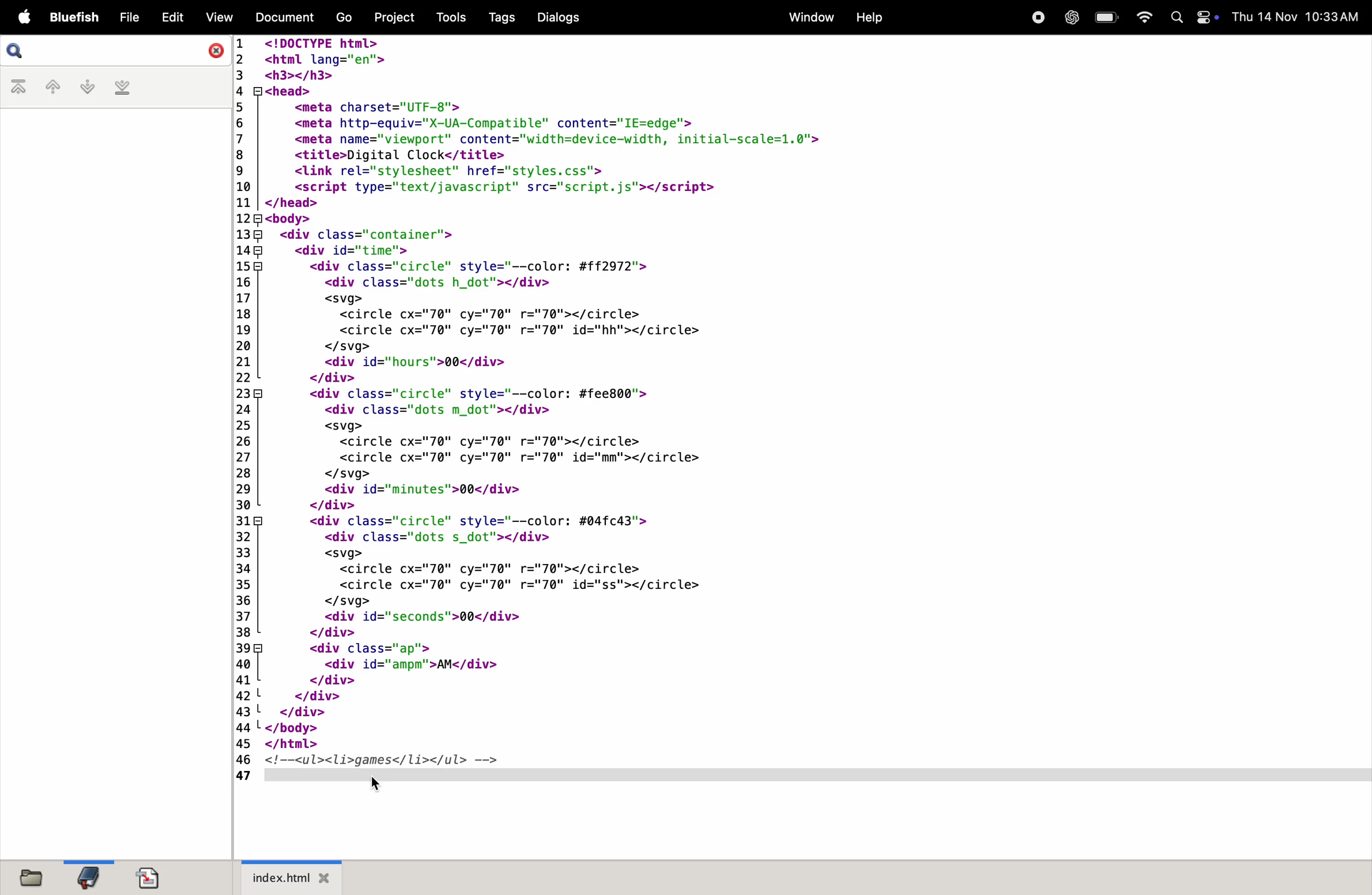 The image size is (1372, 895). I want to click on bookmark, so click(89, 878).